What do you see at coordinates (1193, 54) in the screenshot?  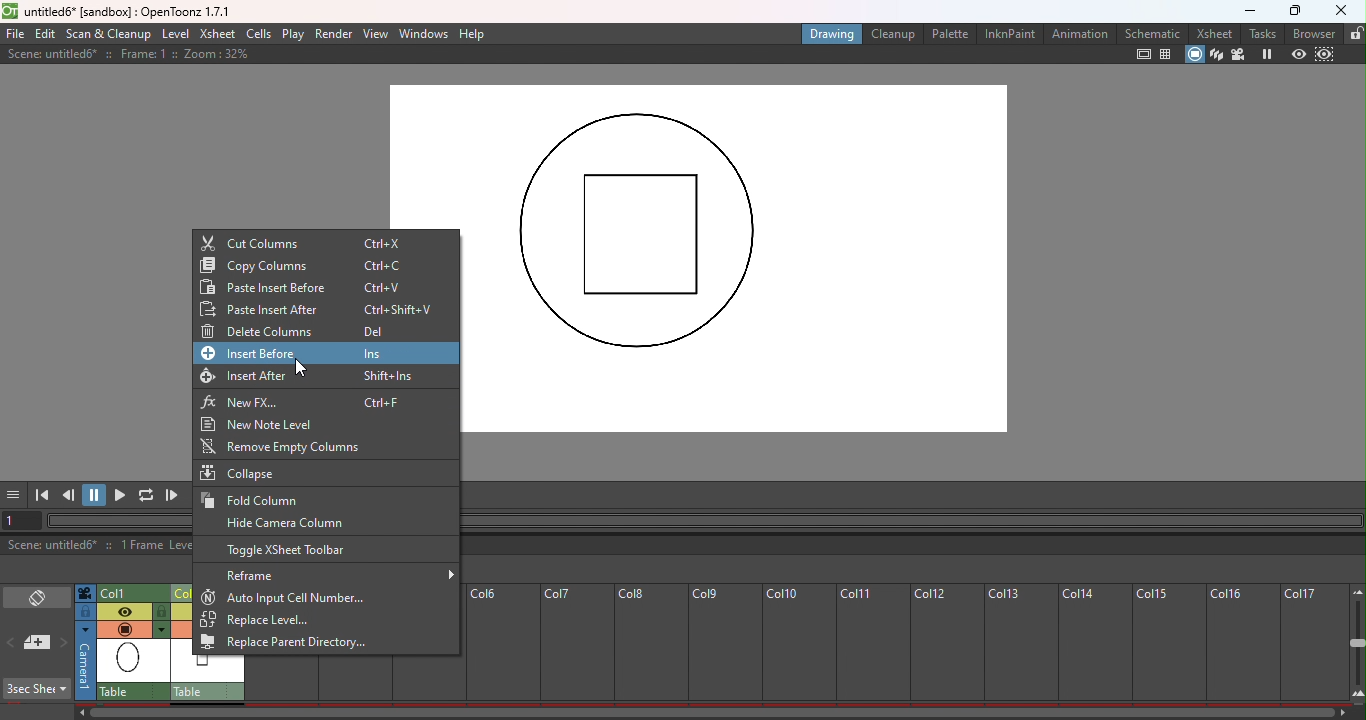 I see `Camera stand view` at bounding box center [1193, 54].